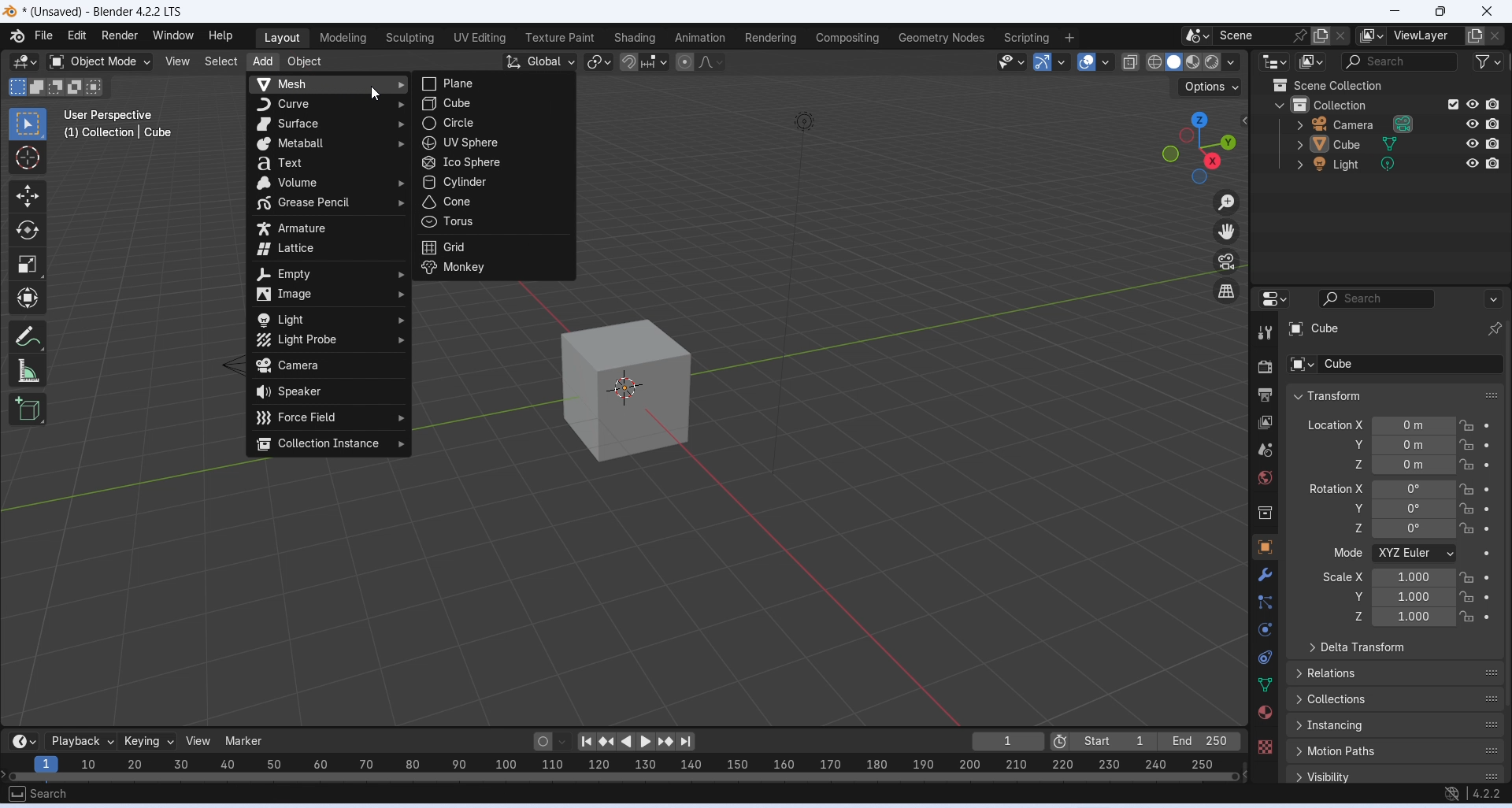 This screenshot has height=808, width=1512. Describe the element at coordinates (1488, 445) in the screenshot. I see `animate property` at that location.